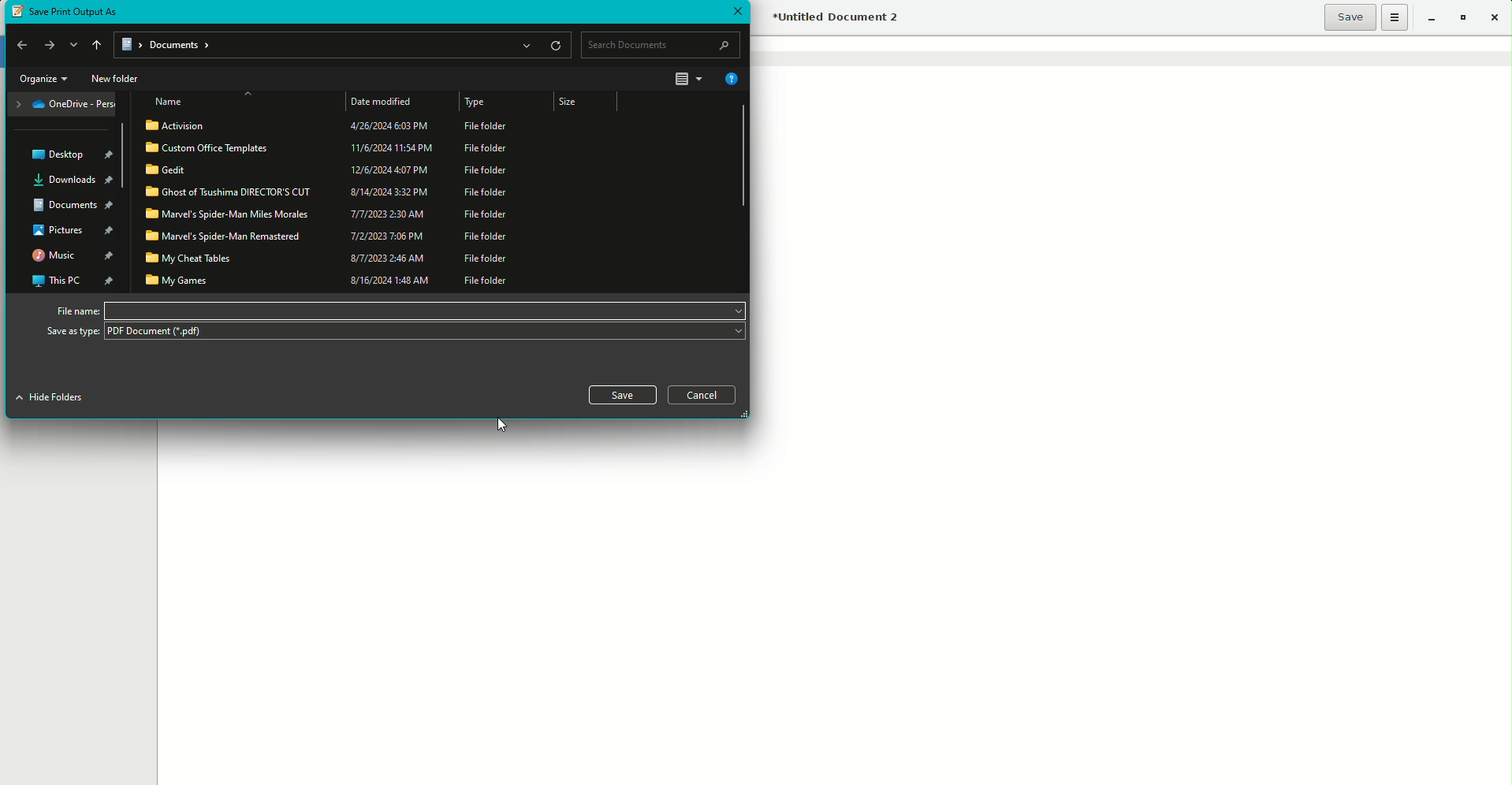 The width and height of the screenshot is (1512, 785). What do you see at coordinates (70, 207) in the screenshot?
I see `Document` at bounding box center [70, 207].